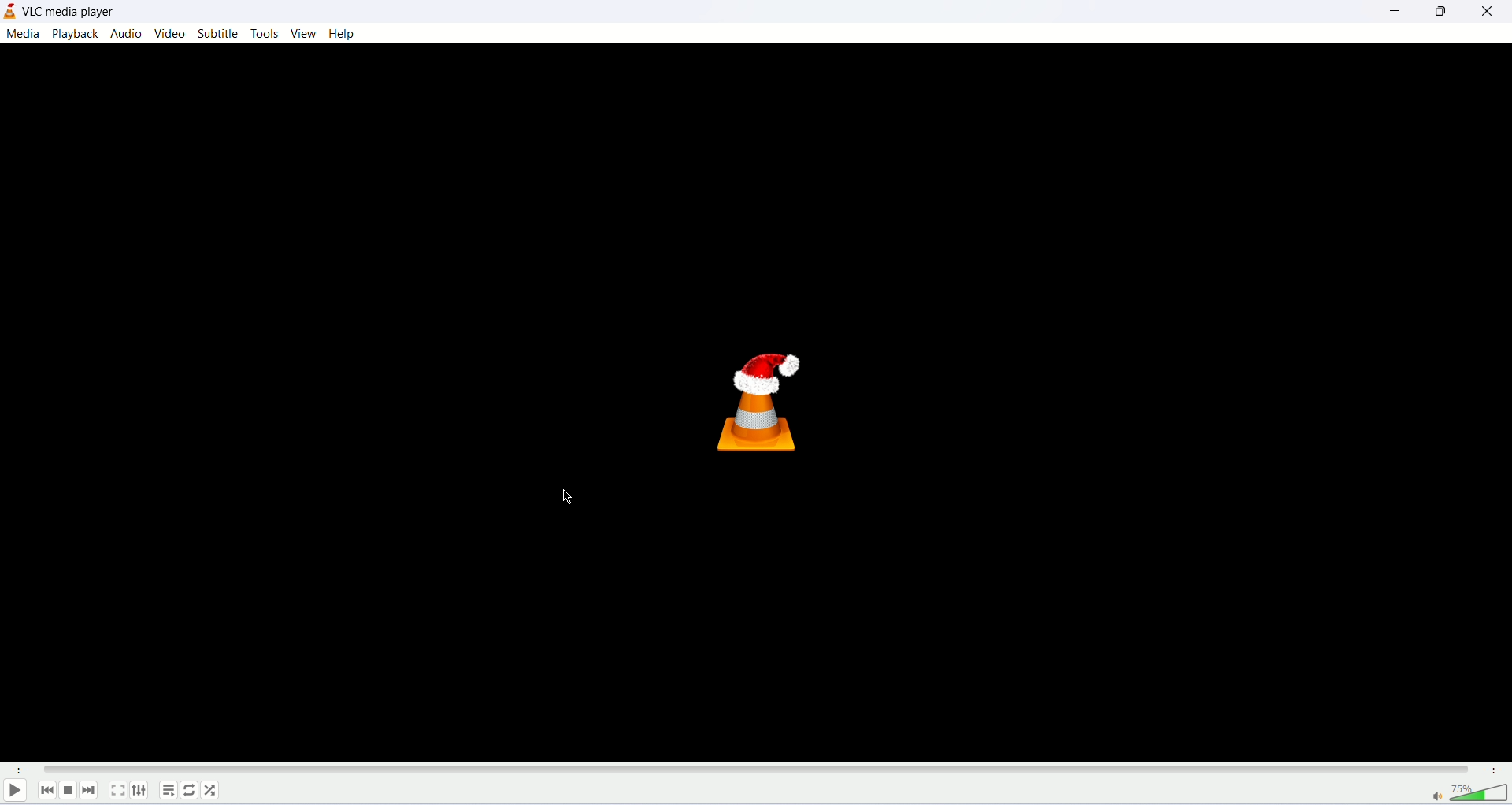 Image resolution: width=1512 pixels, height=805 pixels. Describe the element at coordinates (74, 33) in the screenshot. I see `playback` at that location.